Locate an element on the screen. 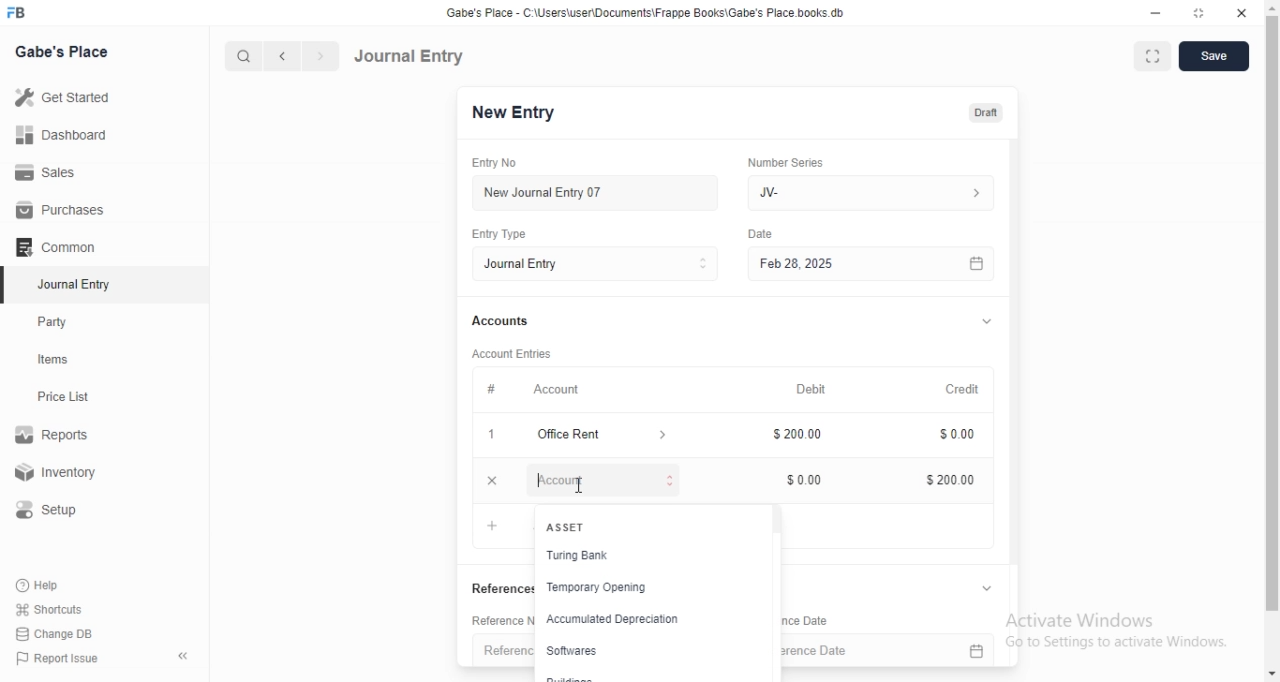 This screenshot has width=1280, height=682. Get Started is located at coordinates (61, 99).